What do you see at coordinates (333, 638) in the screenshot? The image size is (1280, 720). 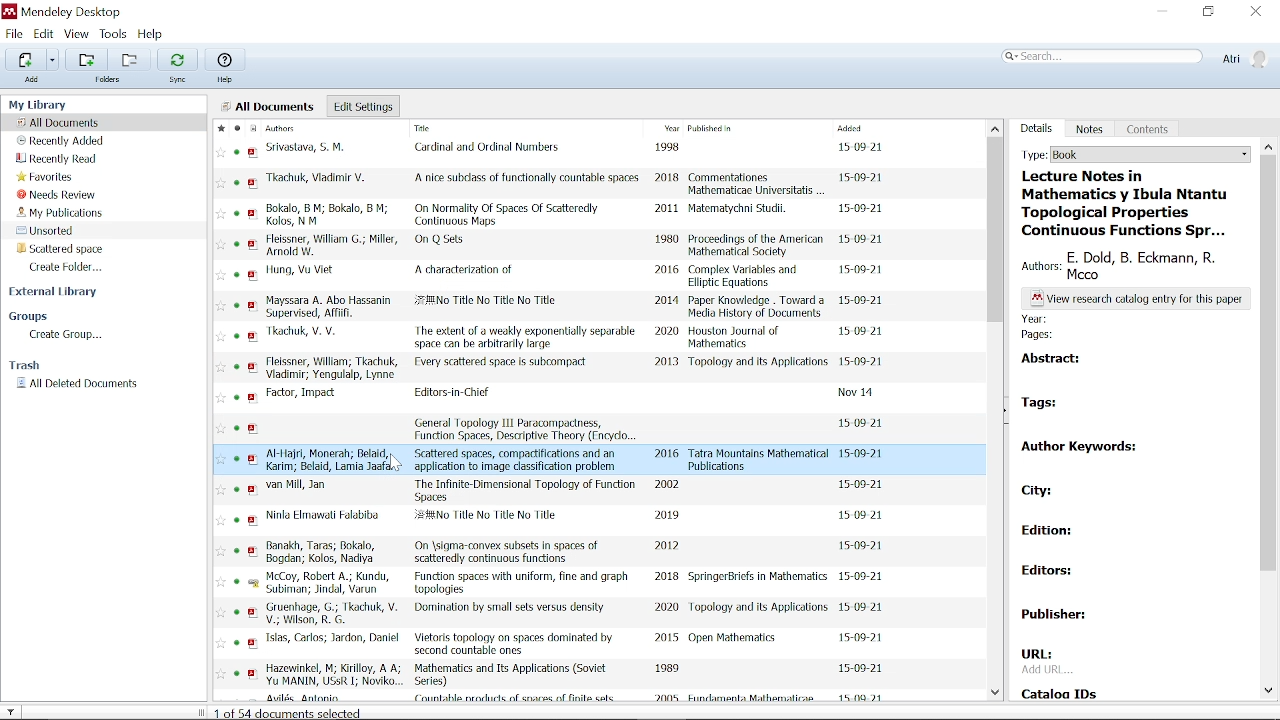 I see `authors` at bounding box center [333, 638].